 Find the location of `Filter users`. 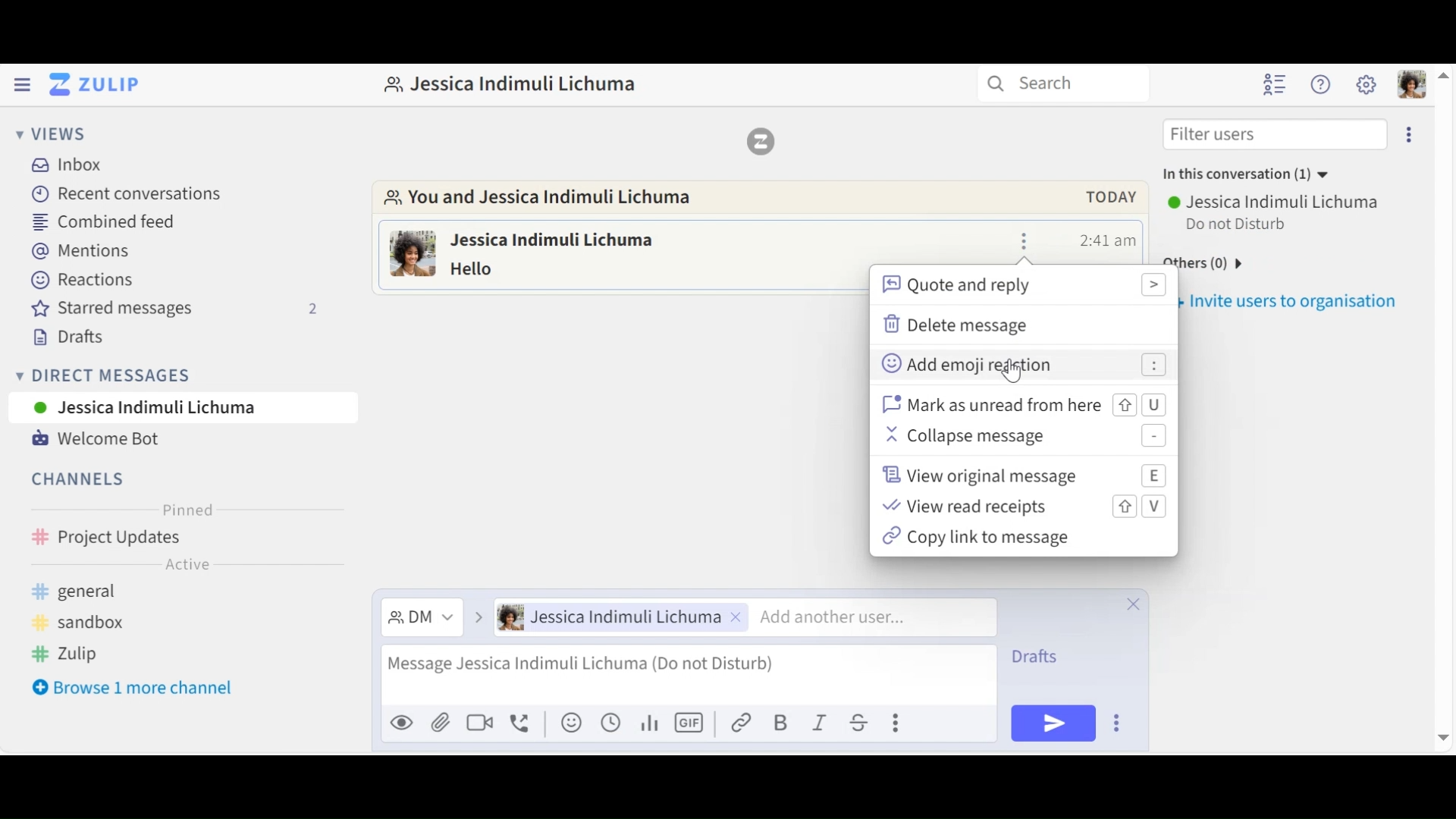

Filter users is located at coordinates (1276, 133).